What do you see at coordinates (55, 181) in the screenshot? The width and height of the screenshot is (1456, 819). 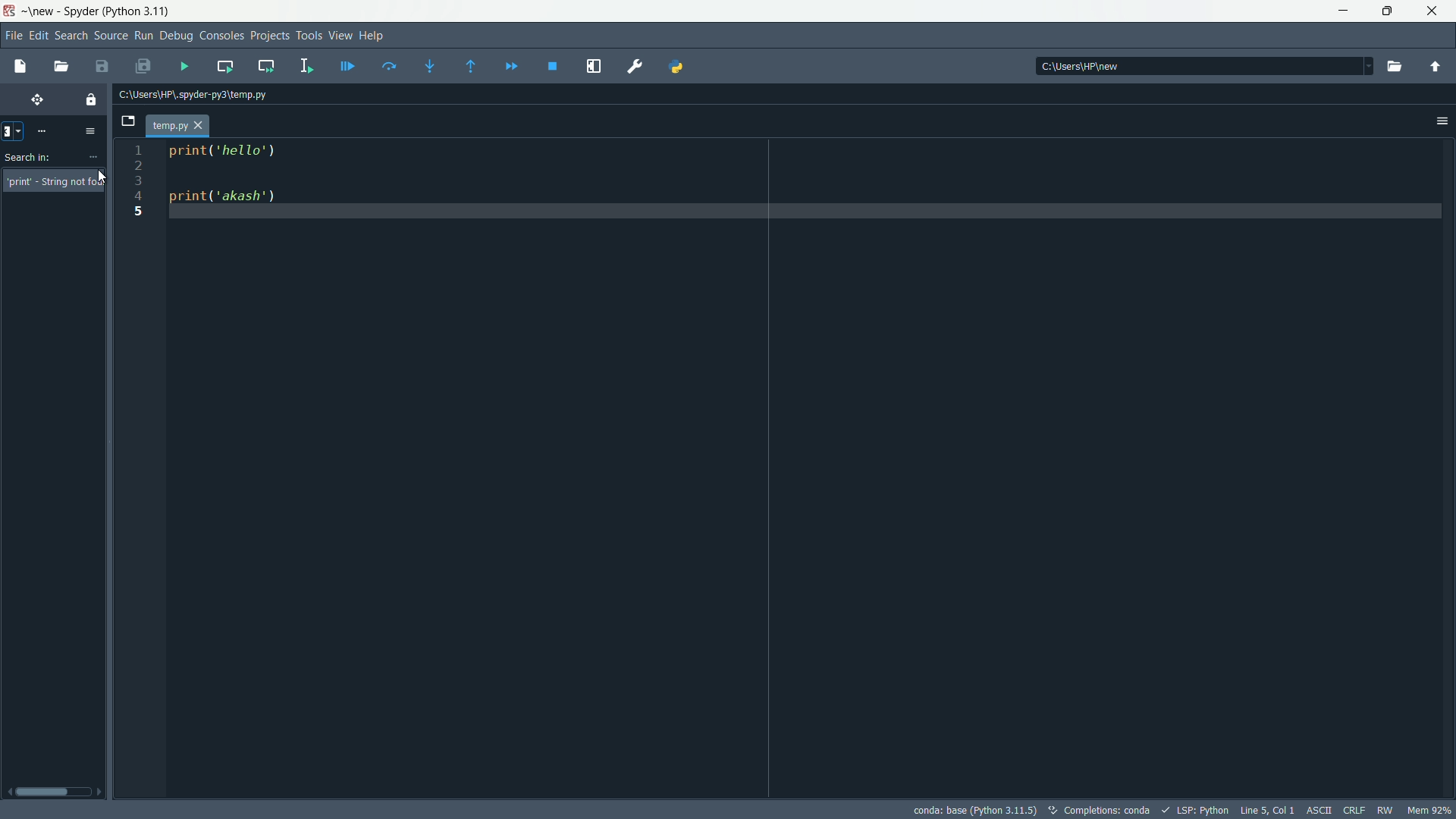 I see `String not found` at bounding box center [55, 181].